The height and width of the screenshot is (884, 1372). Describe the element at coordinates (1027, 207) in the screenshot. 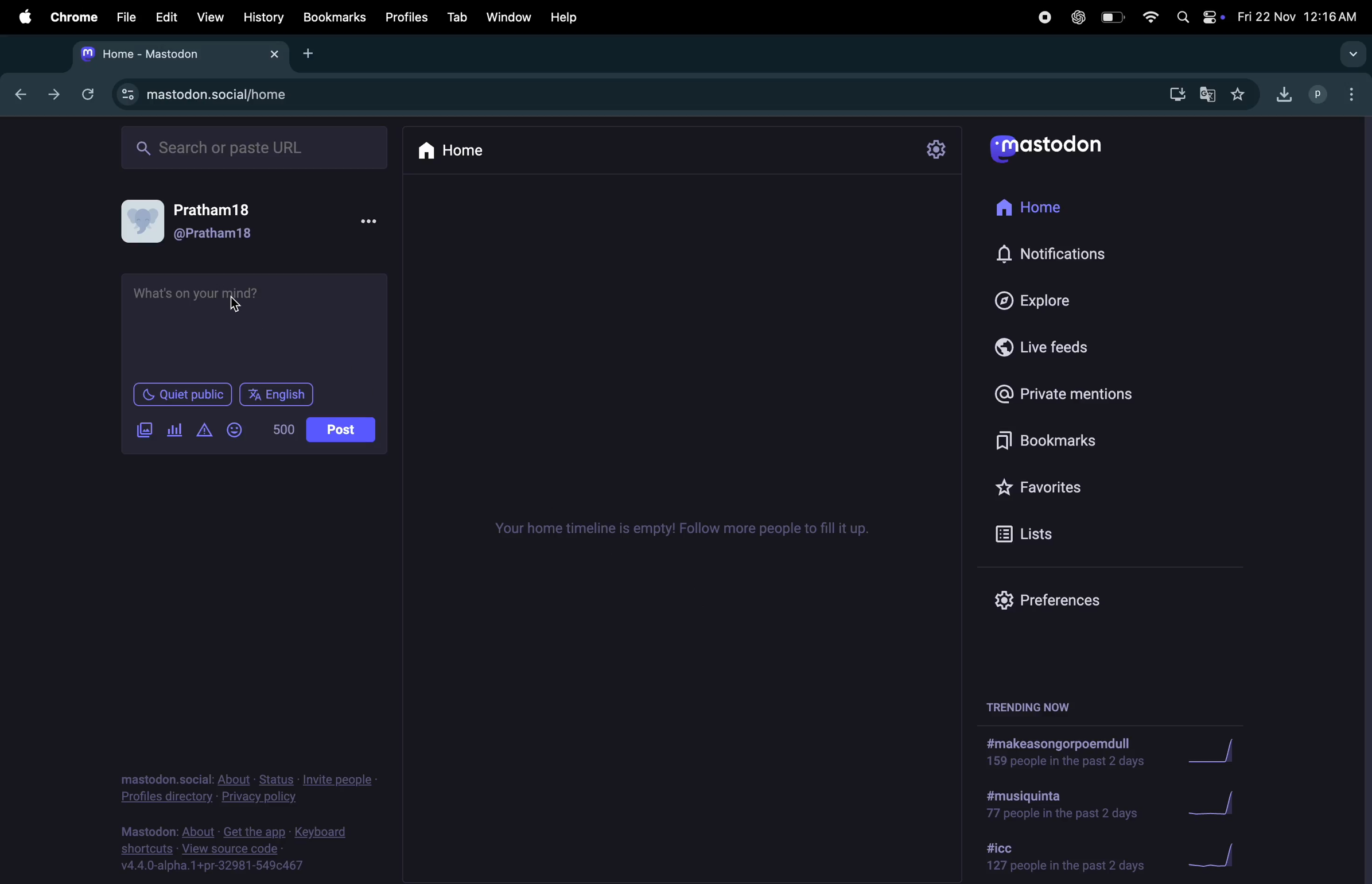

I see `home` at that location.